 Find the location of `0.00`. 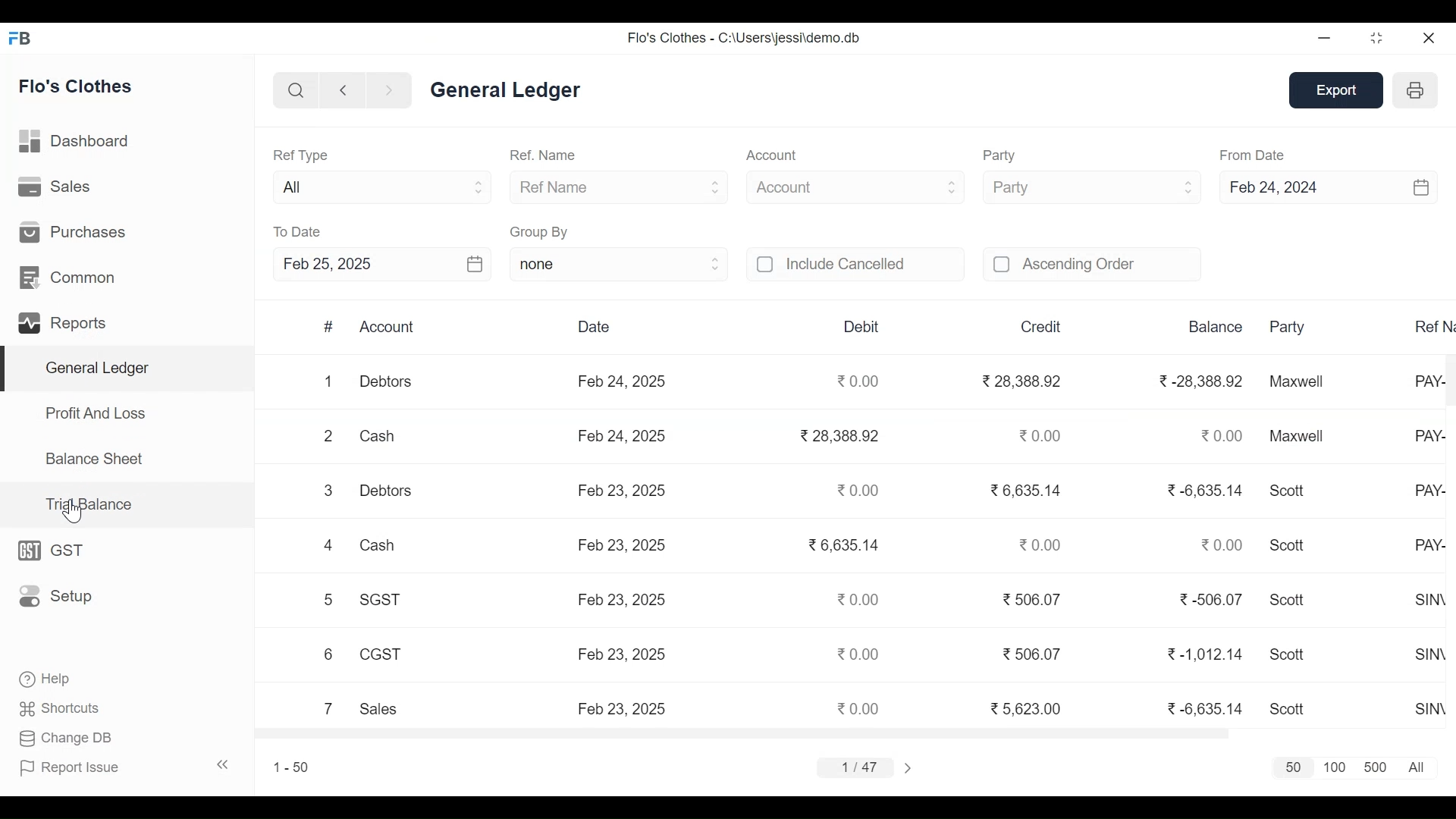

0.00 is located at coordinates (858, 706).